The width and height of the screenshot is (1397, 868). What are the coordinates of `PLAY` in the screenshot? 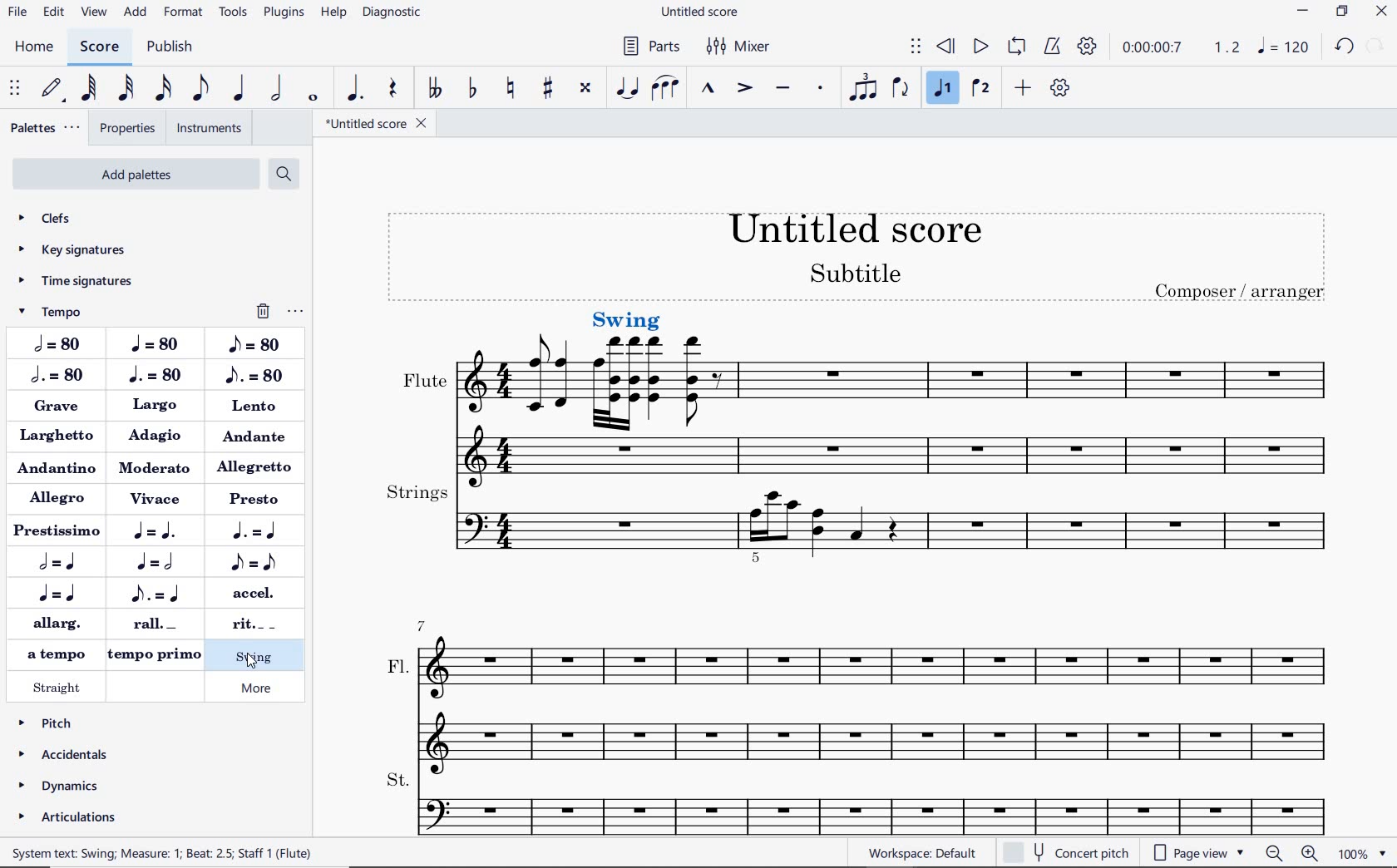 It's located at (981, 47).